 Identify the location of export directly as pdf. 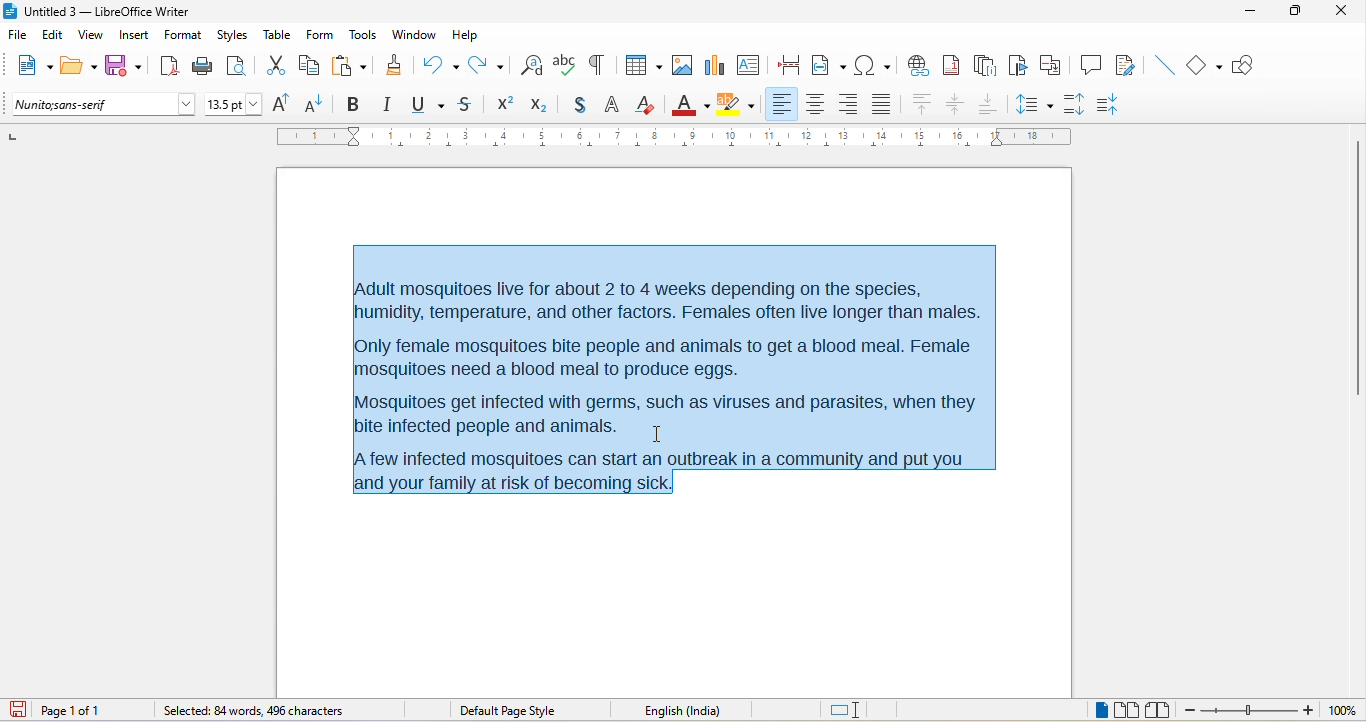
(168, 65).